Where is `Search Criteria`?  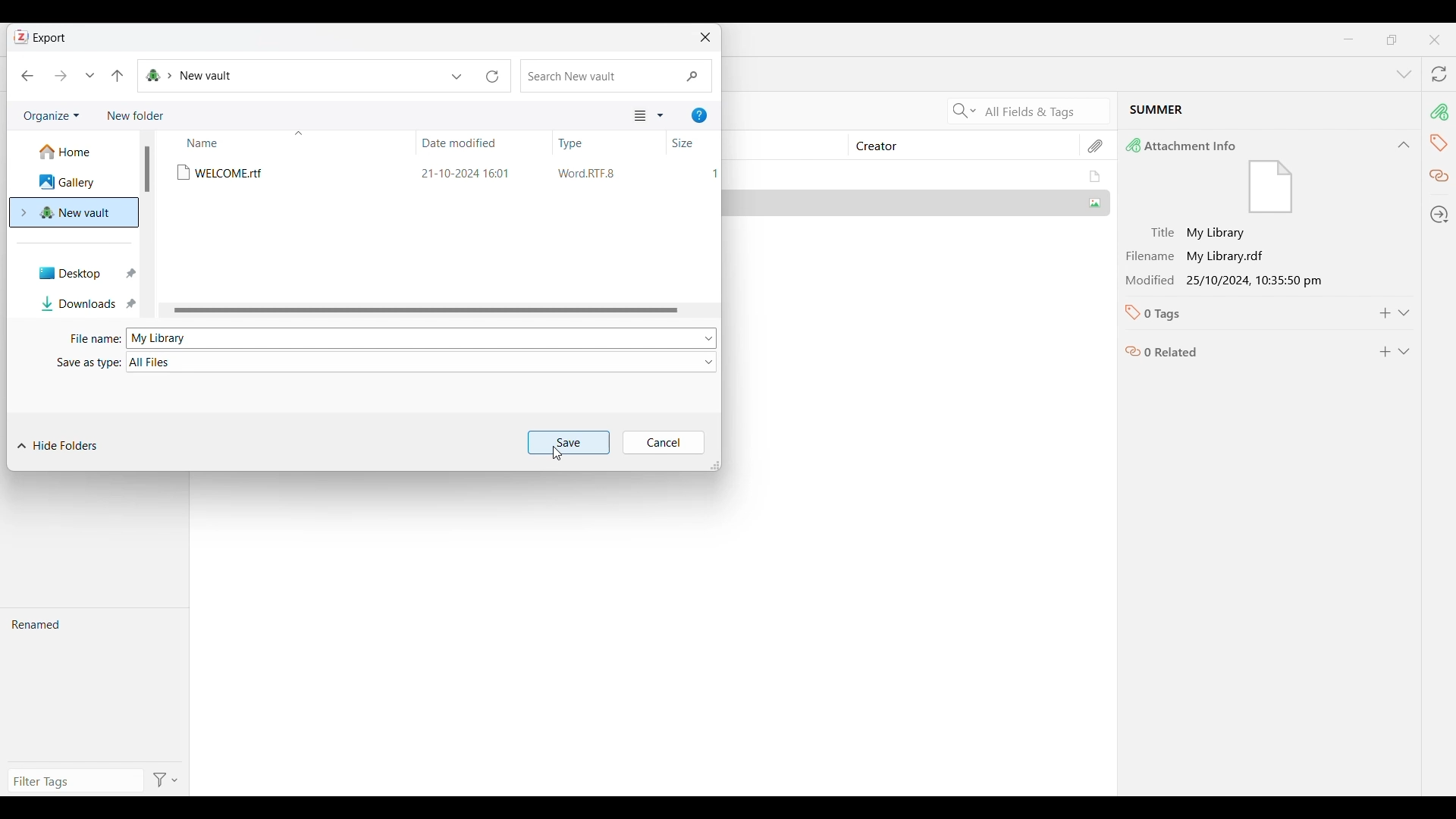
Search Criteria is located at coordinates (962, 111).